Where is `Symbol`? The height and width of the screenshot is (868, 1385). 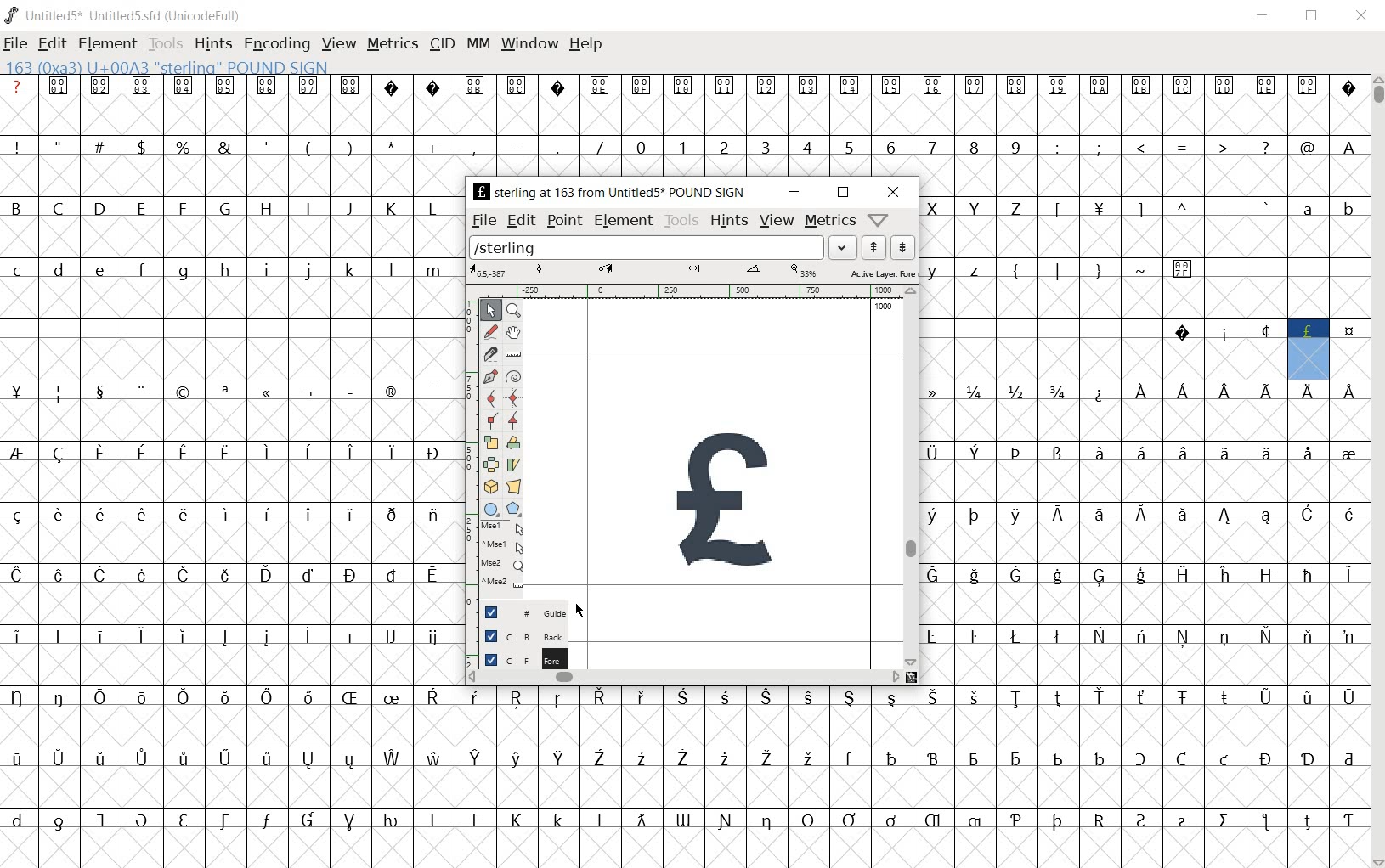 Symbol is located at coordinates (268, 85).